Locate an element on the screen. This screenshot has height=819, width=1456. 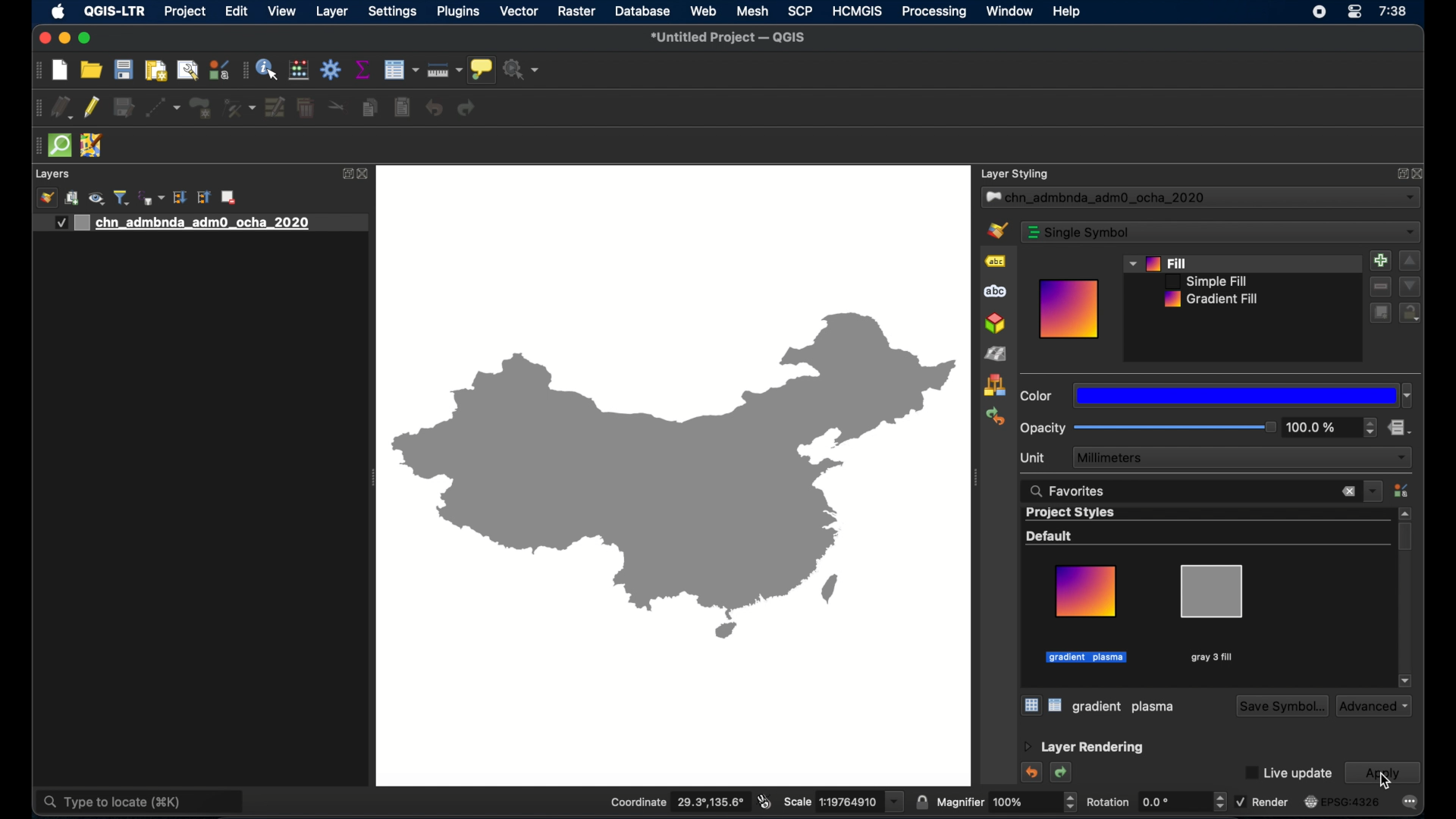
collapse all is located at coordinates (204, 197).